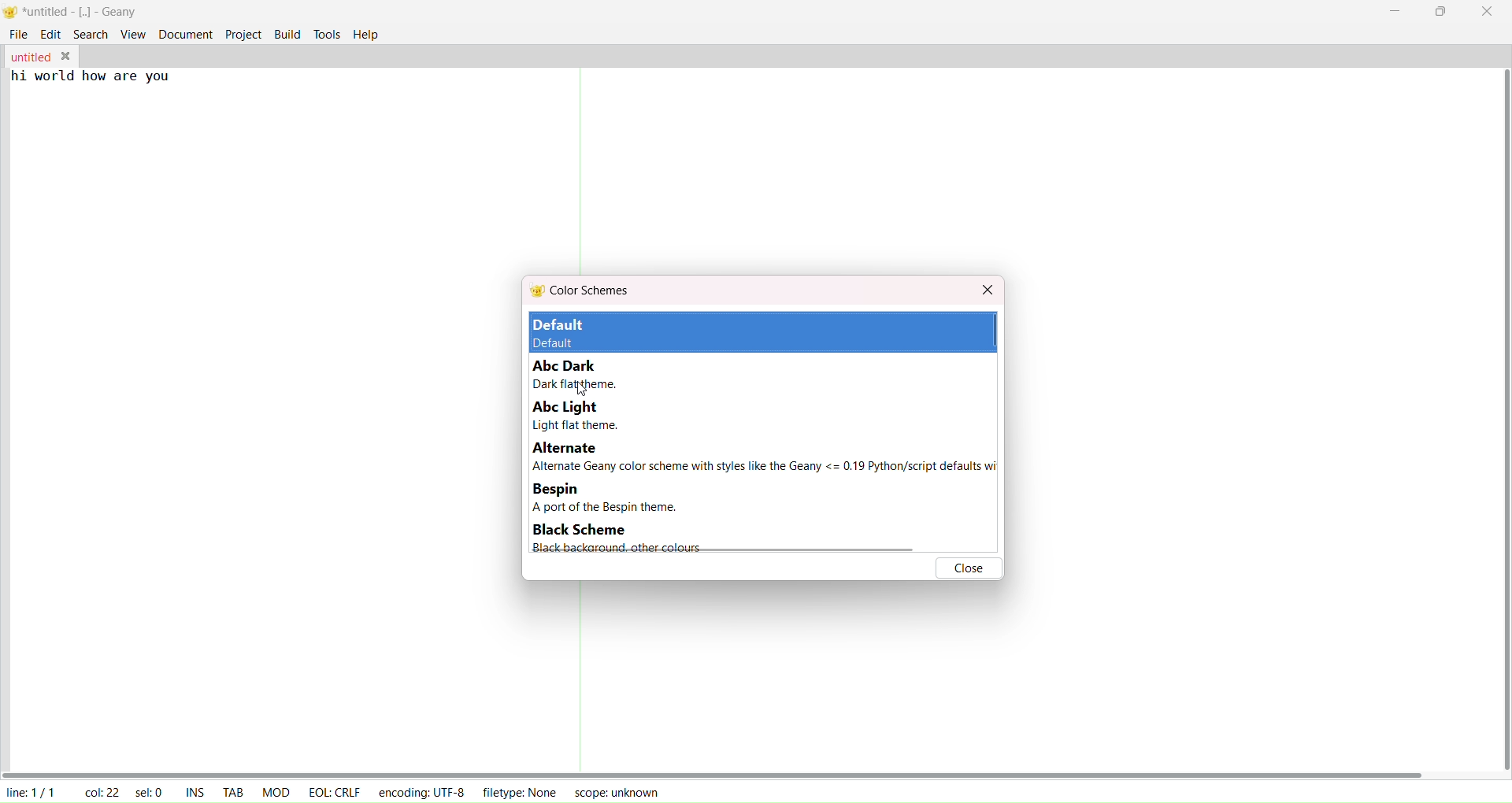  Describe the element at coordinates (621, 508) in the screenshot. I see `a port of the bespin theme` at that location.